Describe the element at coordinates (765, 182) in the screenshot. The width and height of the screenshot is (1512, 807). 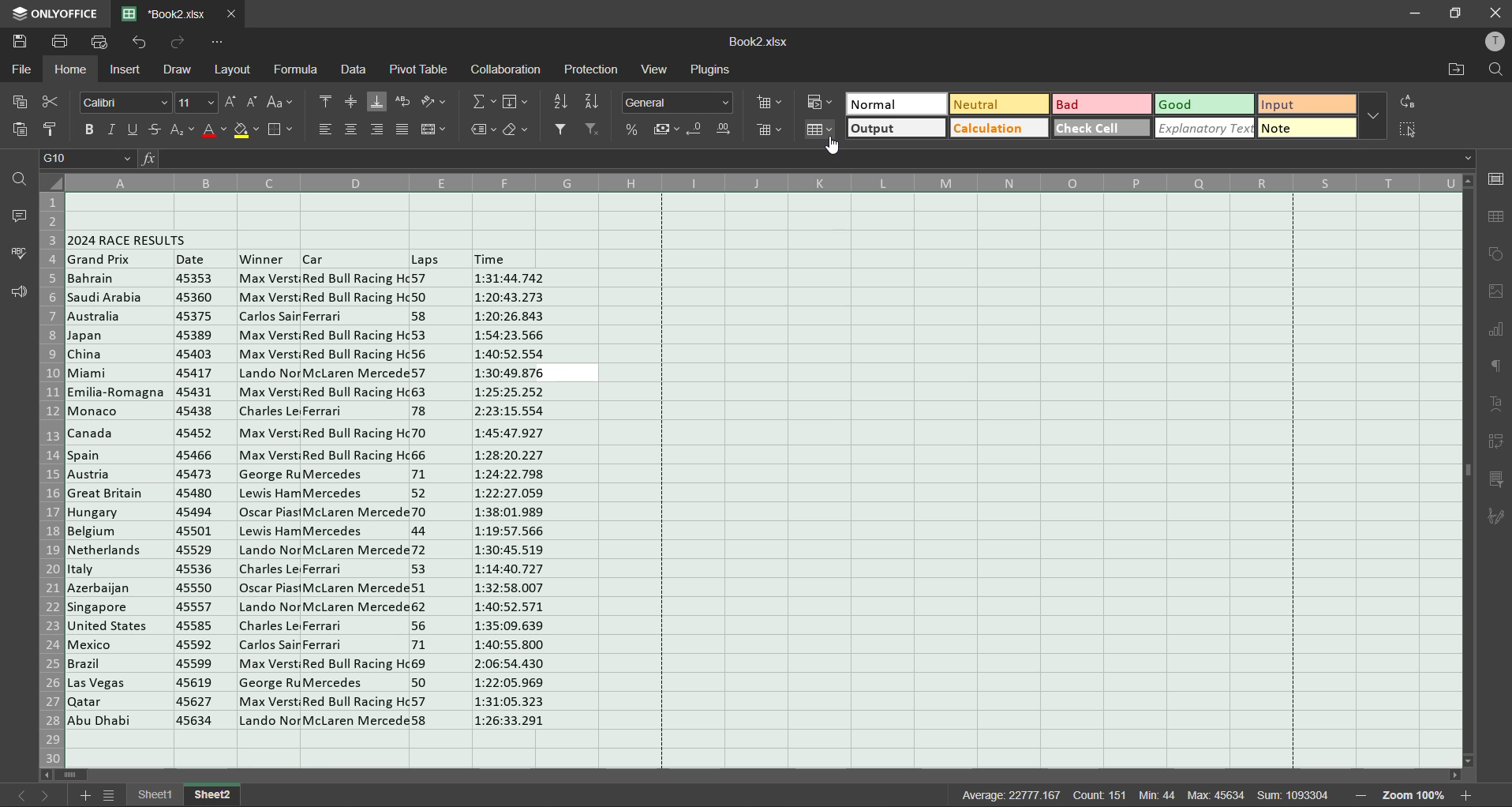
I see `column names` at that location.